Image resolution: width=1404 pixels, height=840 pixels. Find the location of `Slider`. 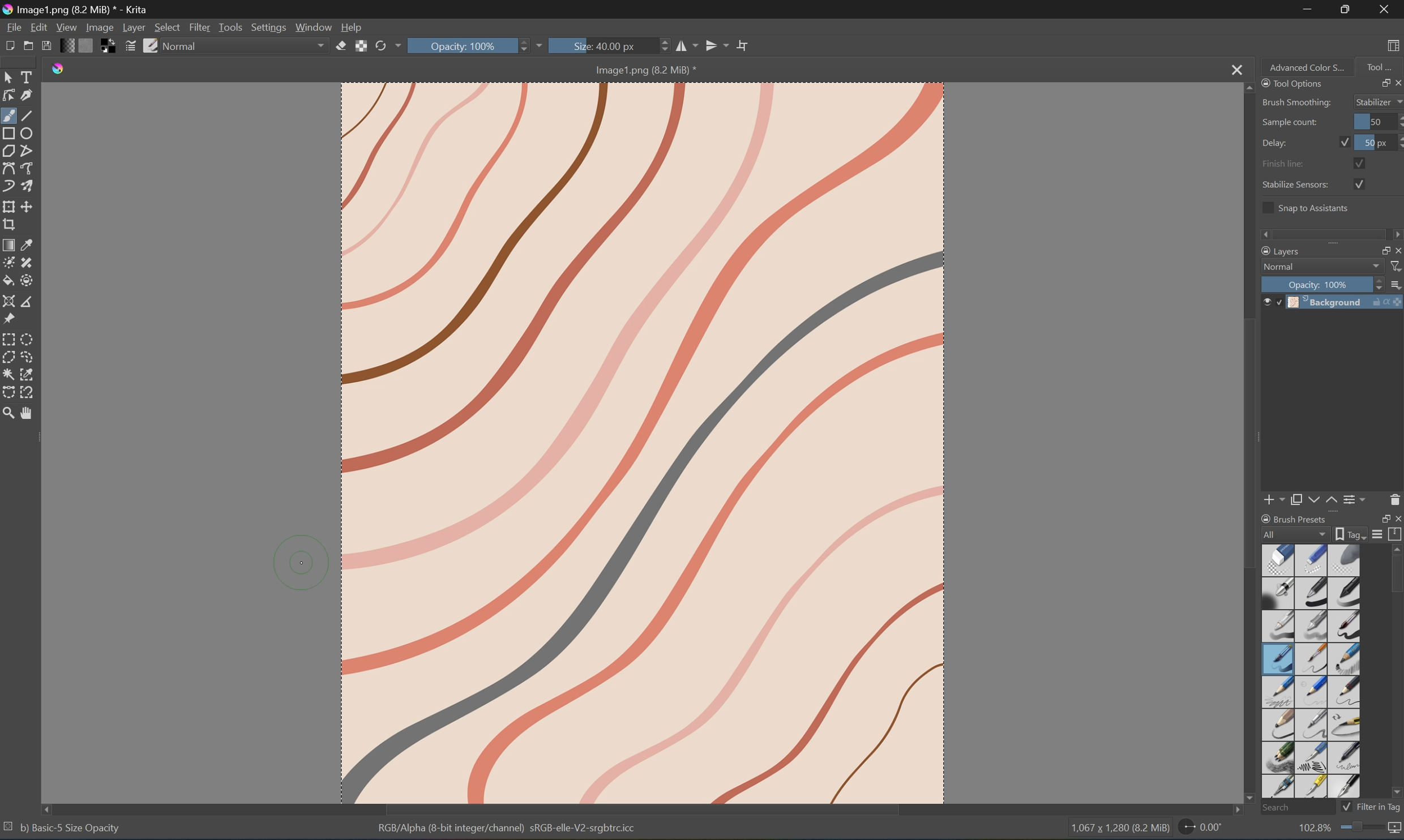

Slider is located at coordinates (1396, 143).